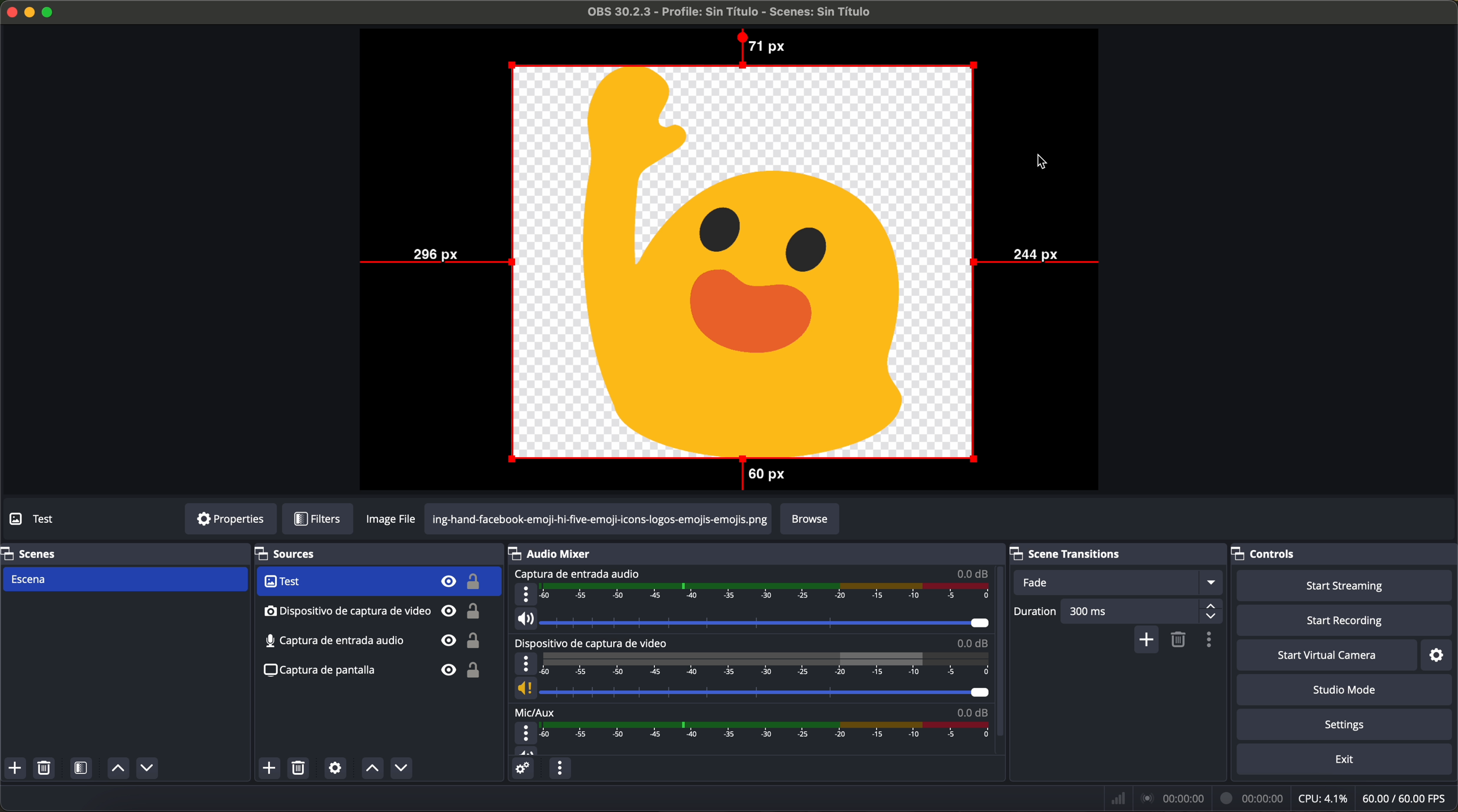 The width and height of the screenshot is (1458, 812). I want to click on transition properties, so click(1212, 641).